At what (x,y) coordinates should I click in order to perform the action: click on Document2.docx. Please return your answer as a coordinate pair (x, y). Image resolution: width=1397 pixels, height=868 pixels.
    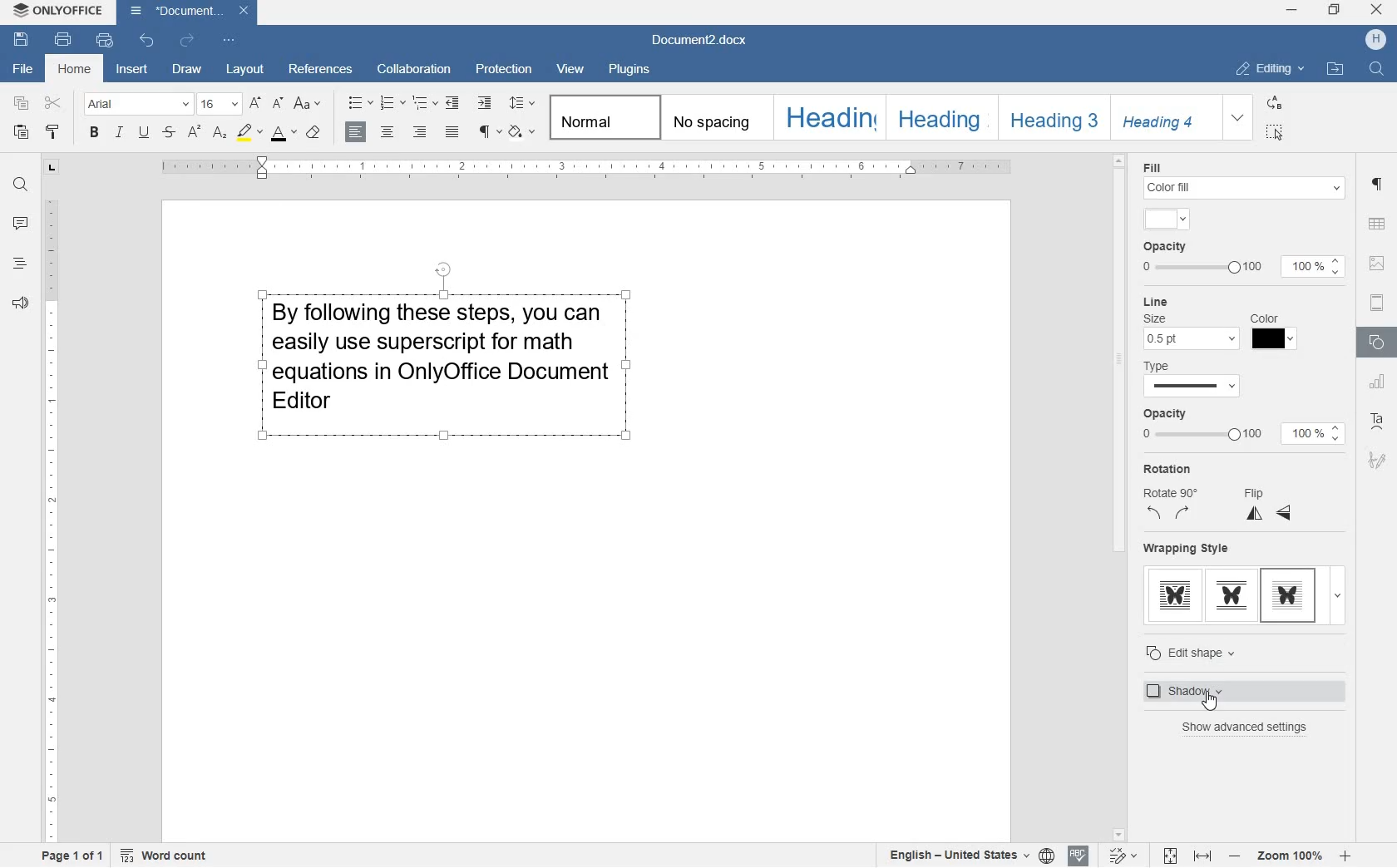
    Looking at the image, I should click on (701, 42).